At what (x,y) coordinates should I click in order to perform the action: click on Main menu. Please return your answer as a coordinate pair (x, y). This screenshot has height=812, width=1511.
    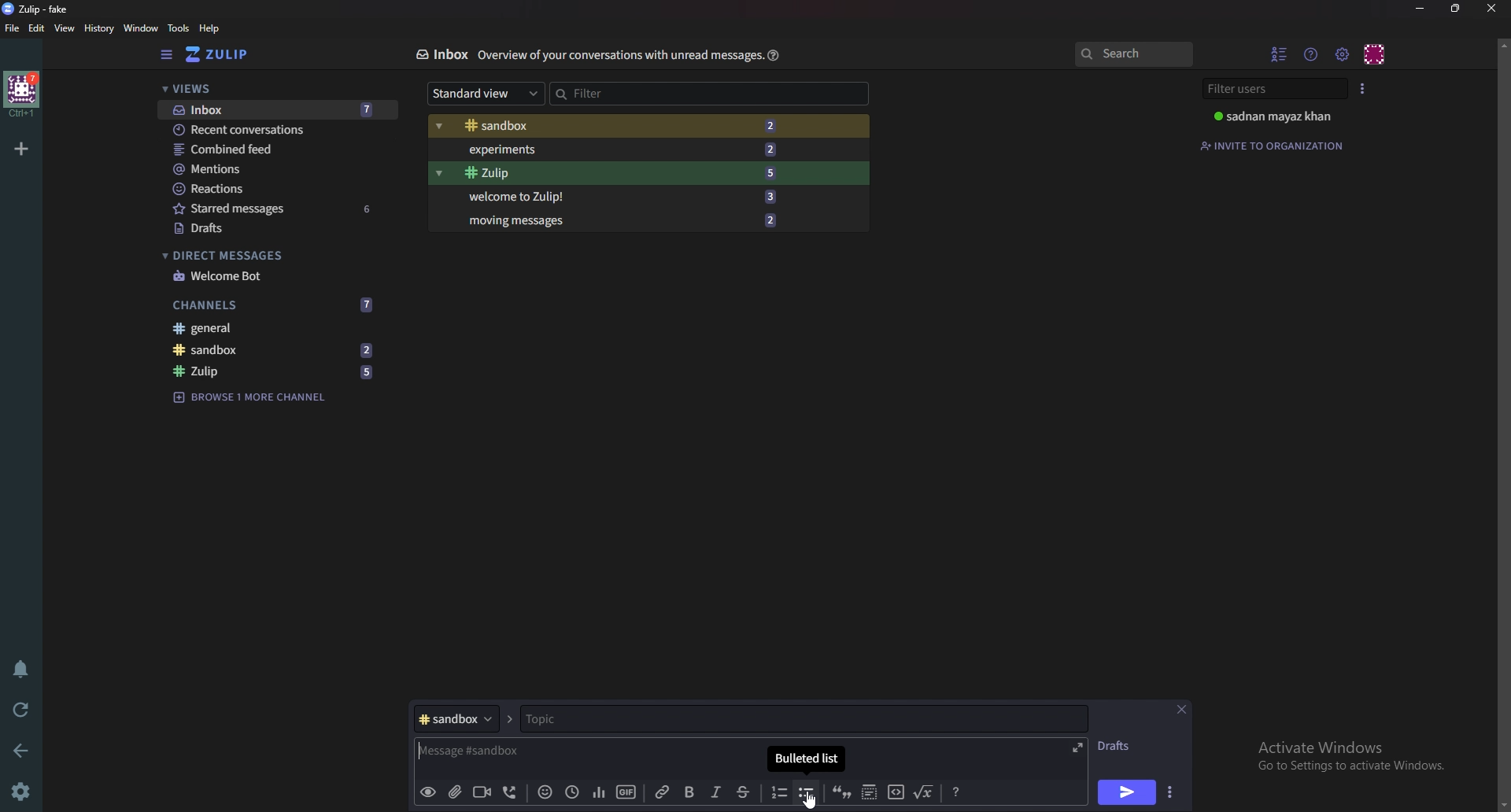
    Looking at the image, I should click on (1342, 55).